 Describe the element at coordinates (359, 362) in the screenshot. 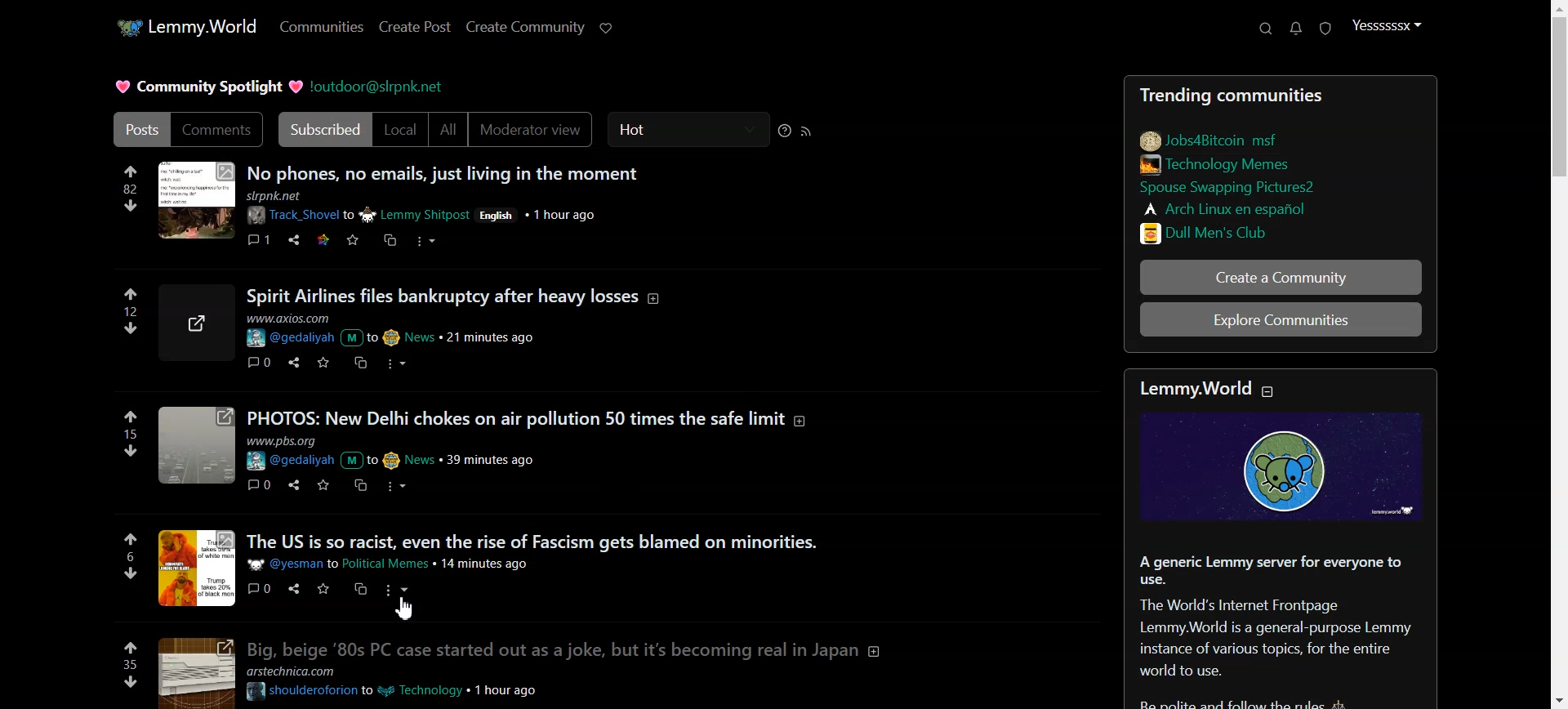

I see `cross post` at that location.